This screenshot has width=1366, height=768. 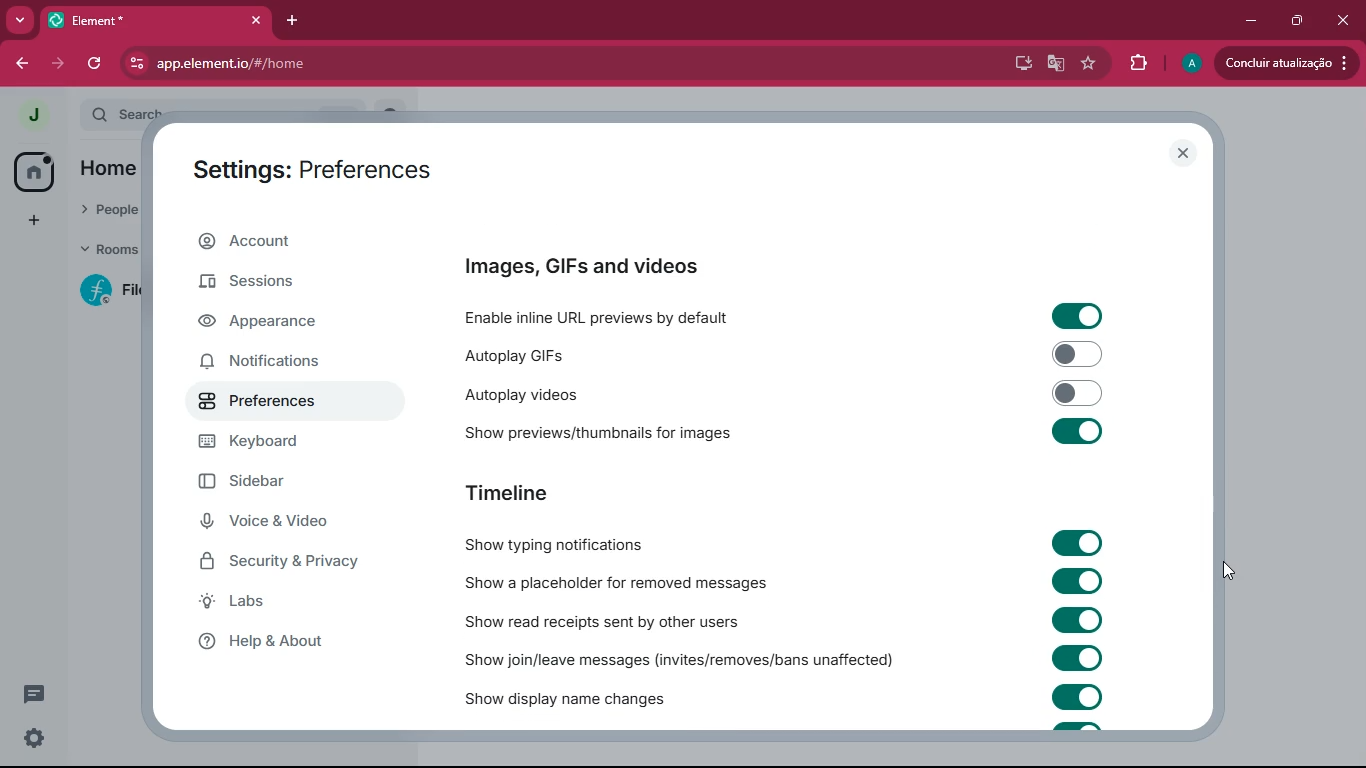 What do you see at coordinates (1298, 21) in the screenshot?
I see `maximize` at bounding box center [1298, 21].